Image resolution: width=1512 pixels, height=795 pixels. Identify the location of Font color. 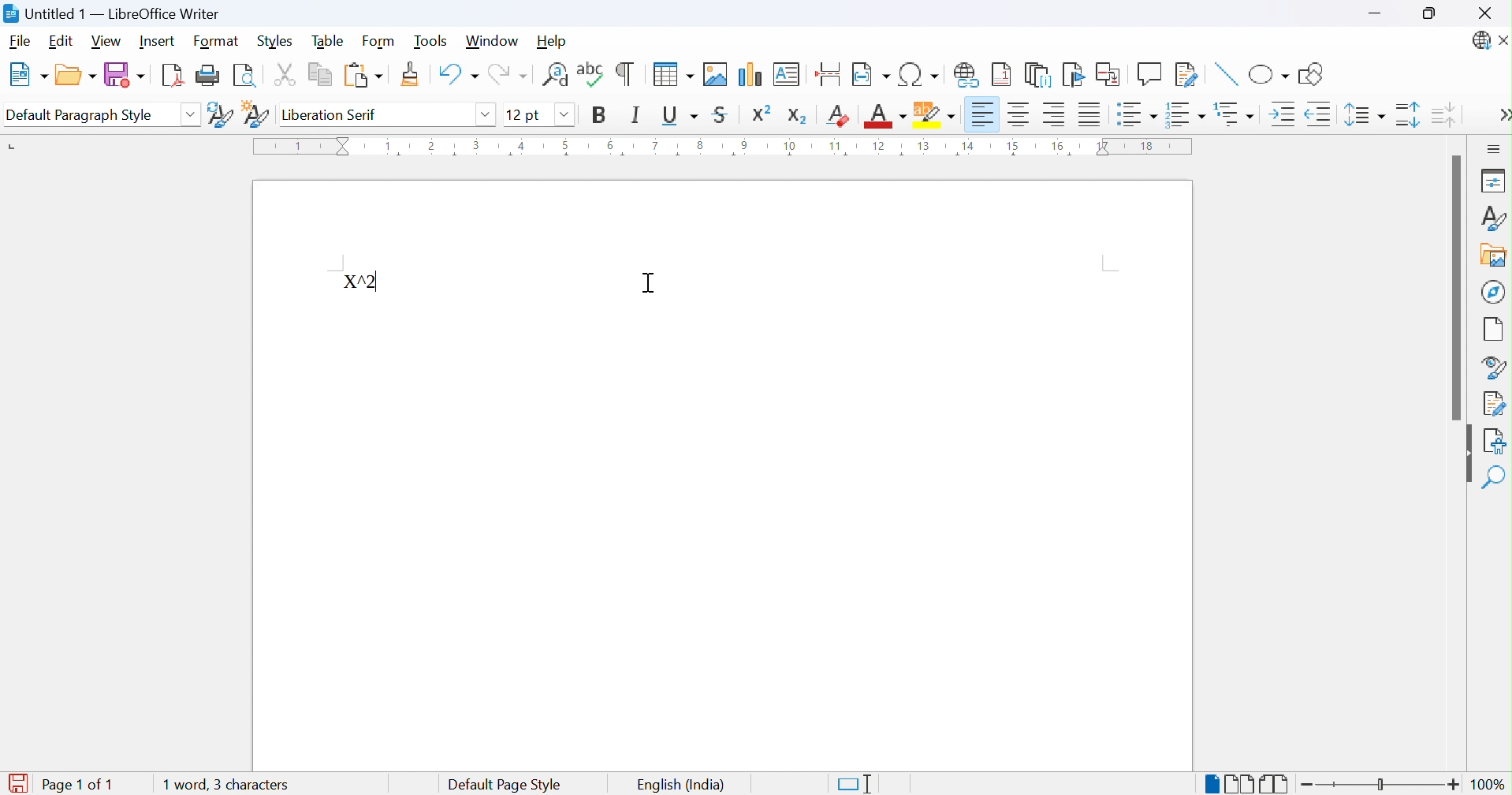
(885, 115).